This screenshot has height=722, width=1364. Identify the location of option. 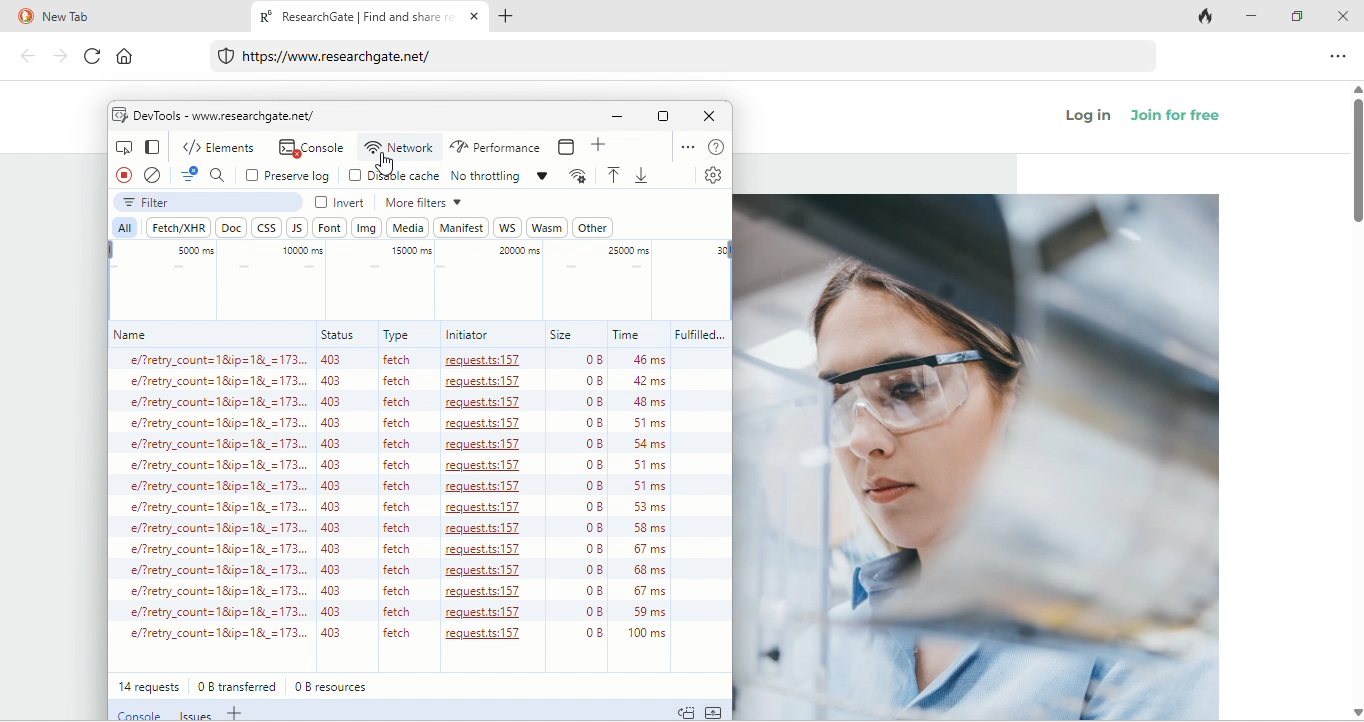
(1340, 55).